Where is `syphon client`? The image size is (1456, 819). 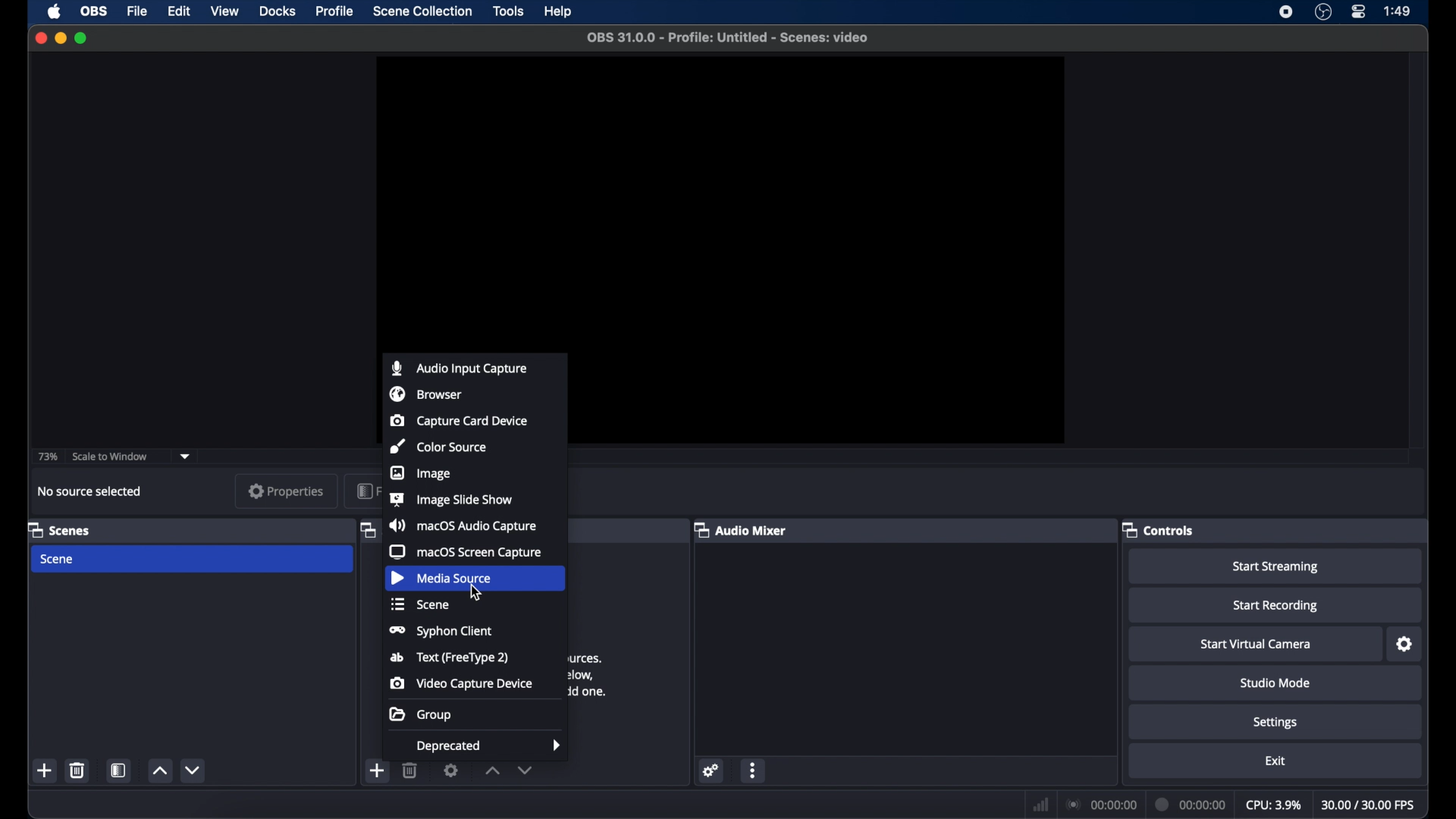 syphon client is located at coordinates (440, 632).